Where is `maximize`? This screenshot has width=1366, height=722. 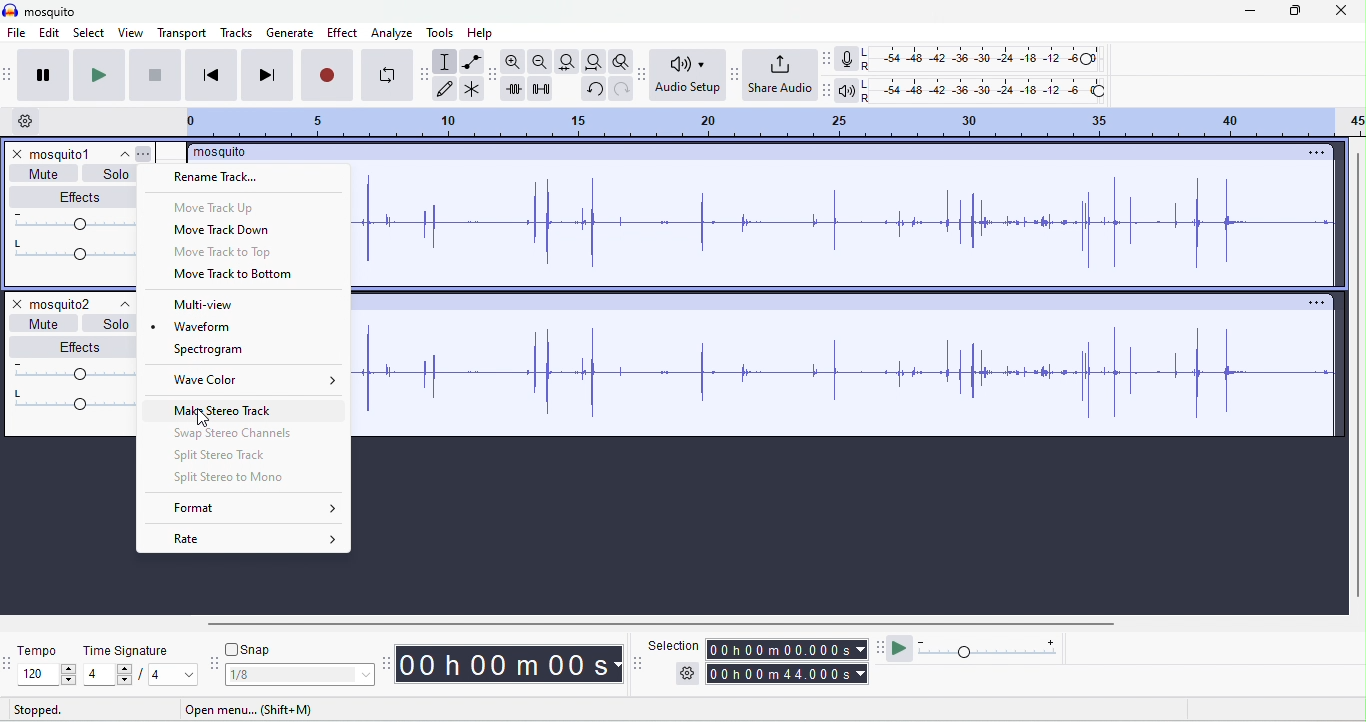
maximize is located at coordinates (1294, 11).